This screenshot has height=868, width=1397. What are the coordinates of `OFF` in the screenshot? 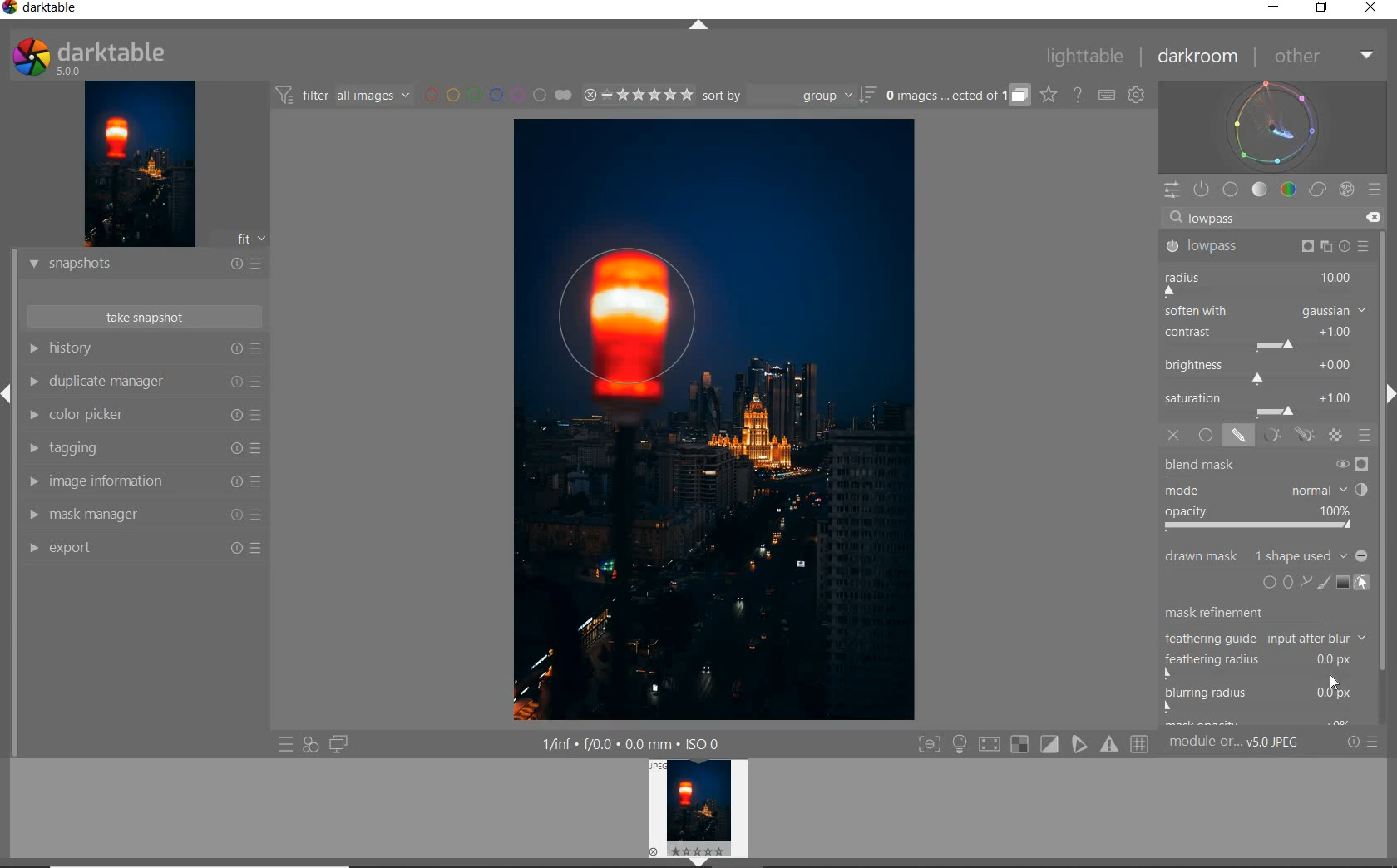 It's located at (1173, 436).